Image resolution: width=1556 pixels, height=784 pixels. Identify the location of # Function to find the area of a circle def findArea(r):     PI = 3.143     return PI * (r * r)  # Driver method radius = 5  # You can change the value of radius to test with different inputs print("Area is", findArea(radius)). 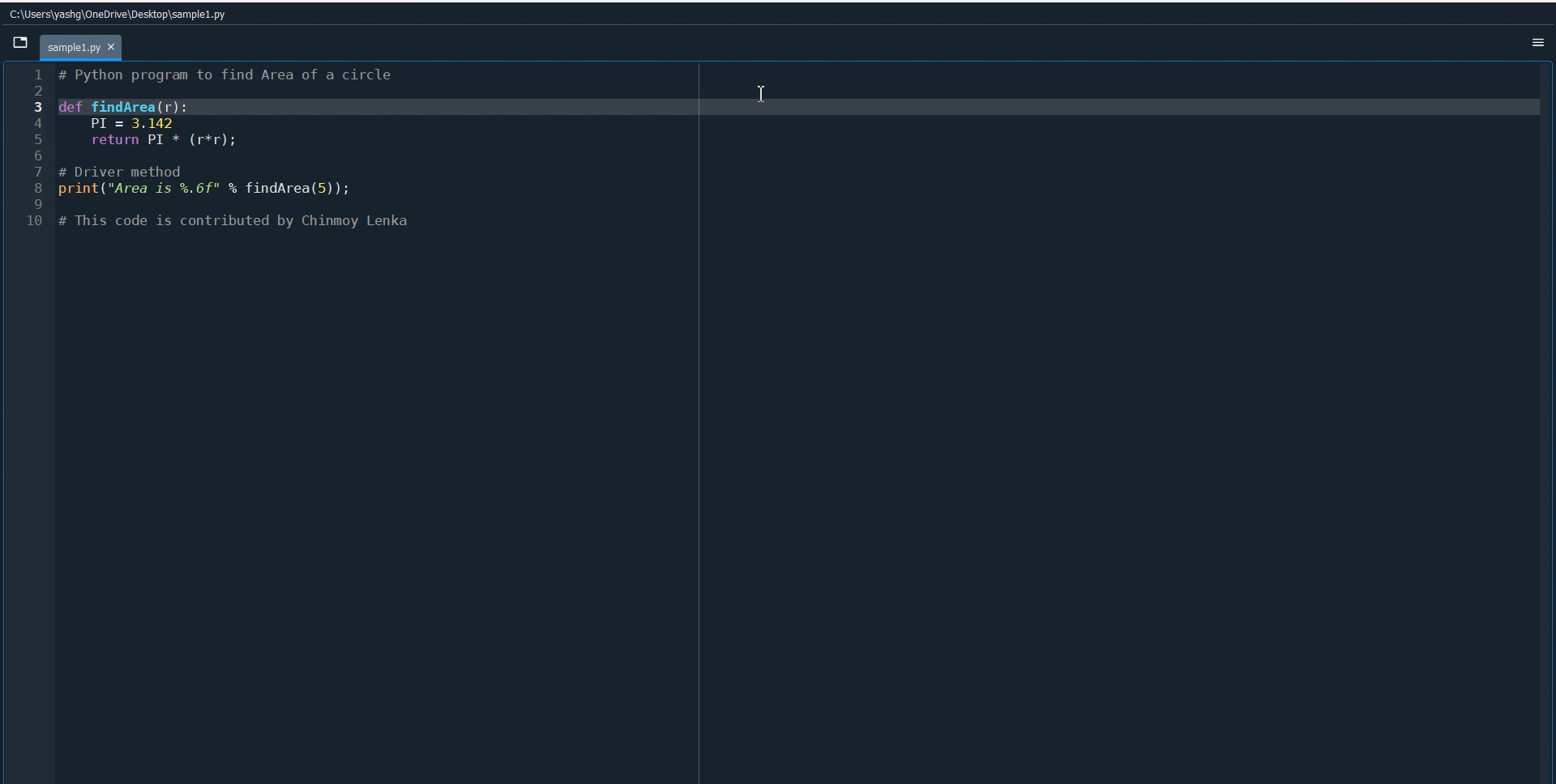
(798, 422).